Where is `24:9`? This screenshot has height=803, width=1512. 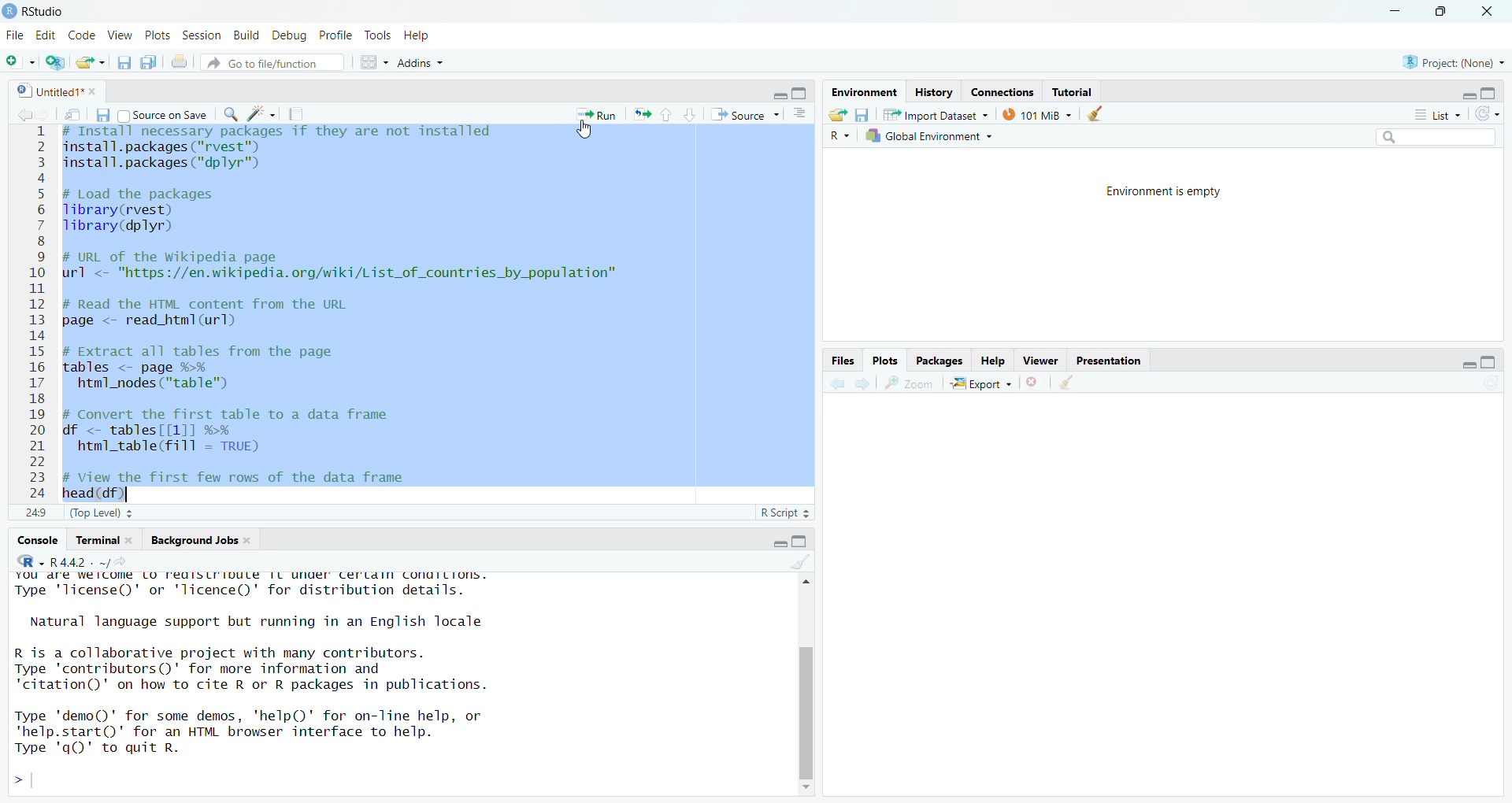
24:9 is located at coordinates (36, 512).